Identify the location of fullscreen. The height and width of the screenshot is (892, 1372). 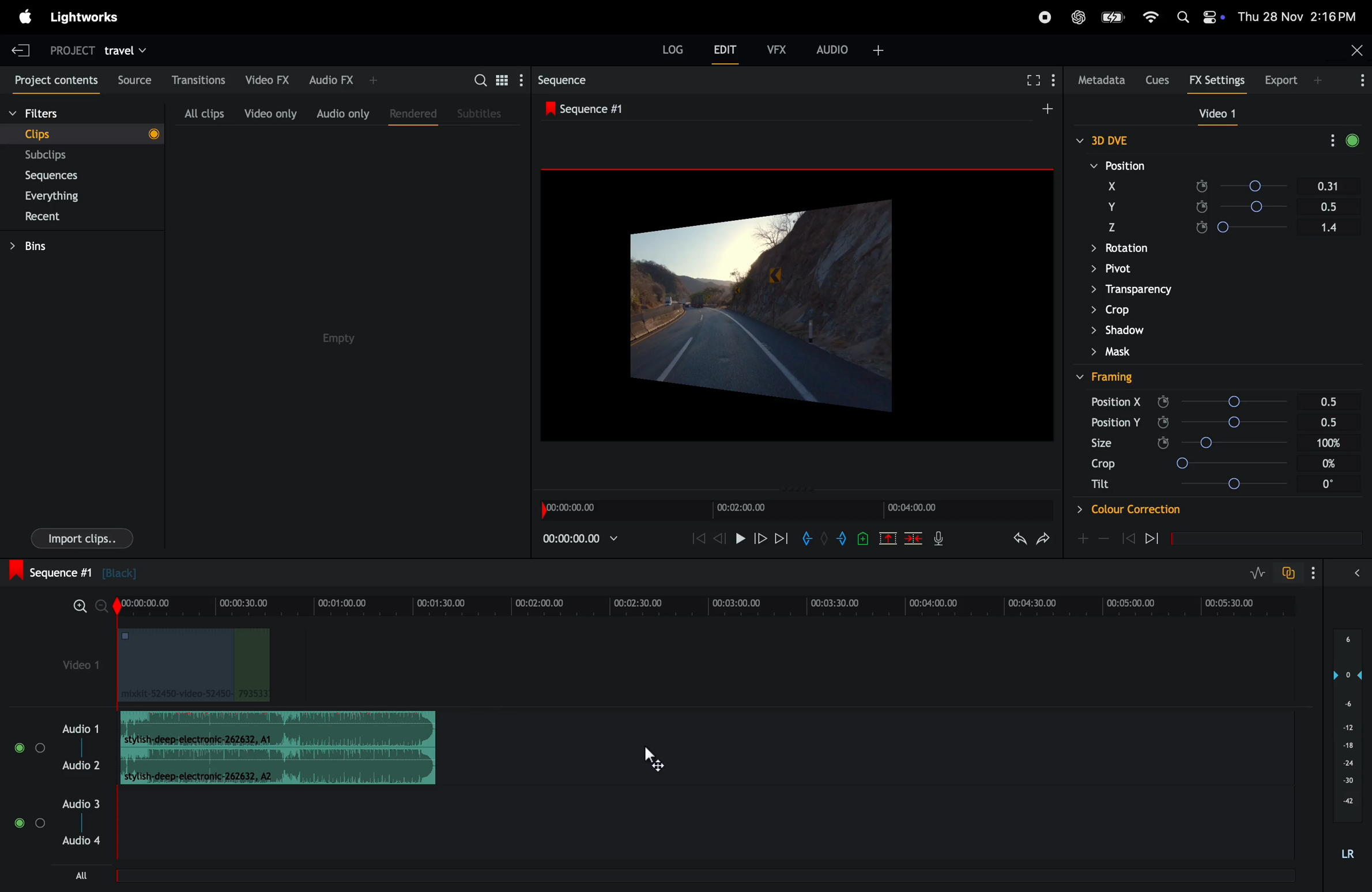
(1032, 80).